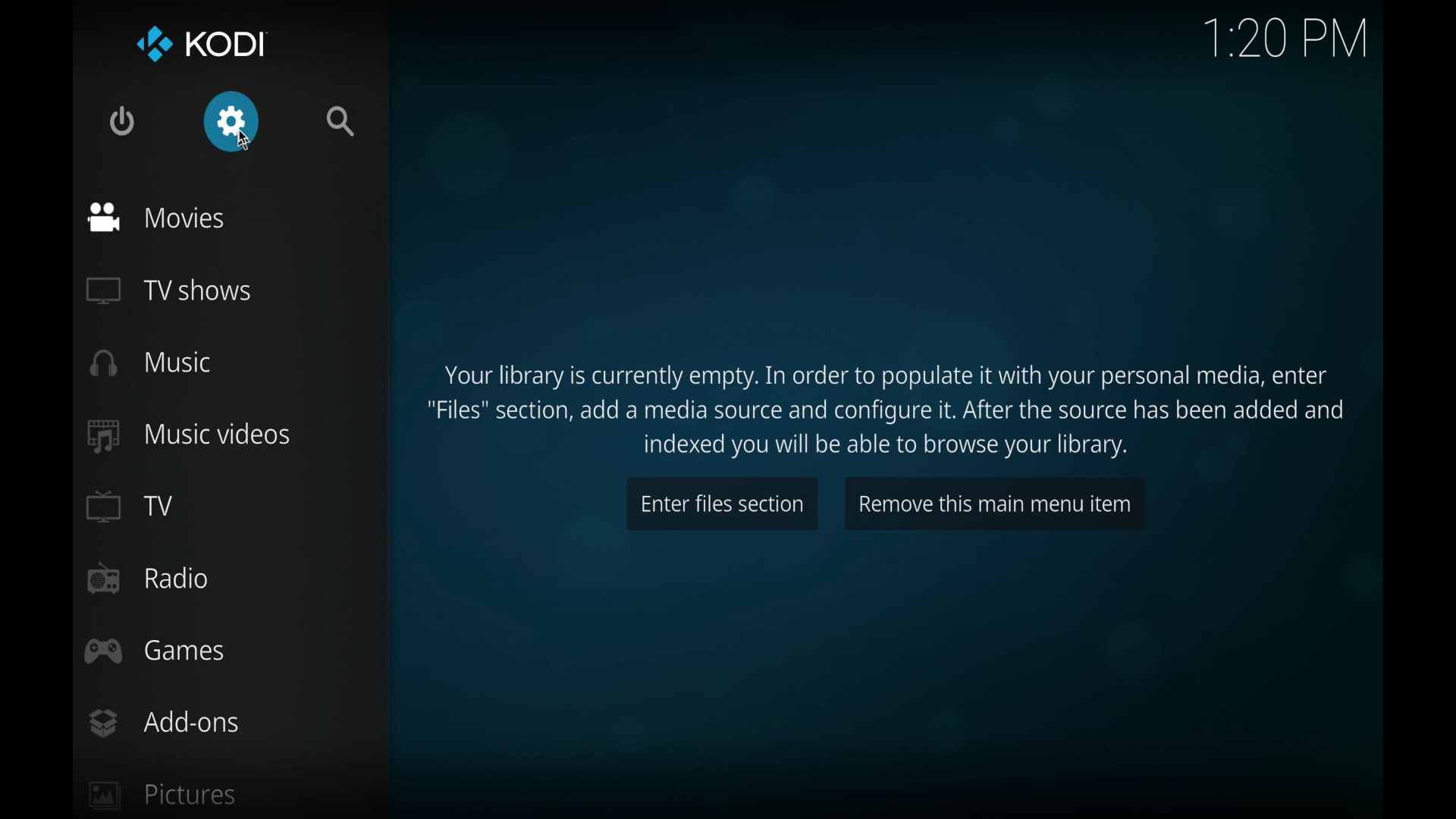  What do you see at coordinates (150, 362) in the screenshot?
I see `music` at bounding box center [150, 362].